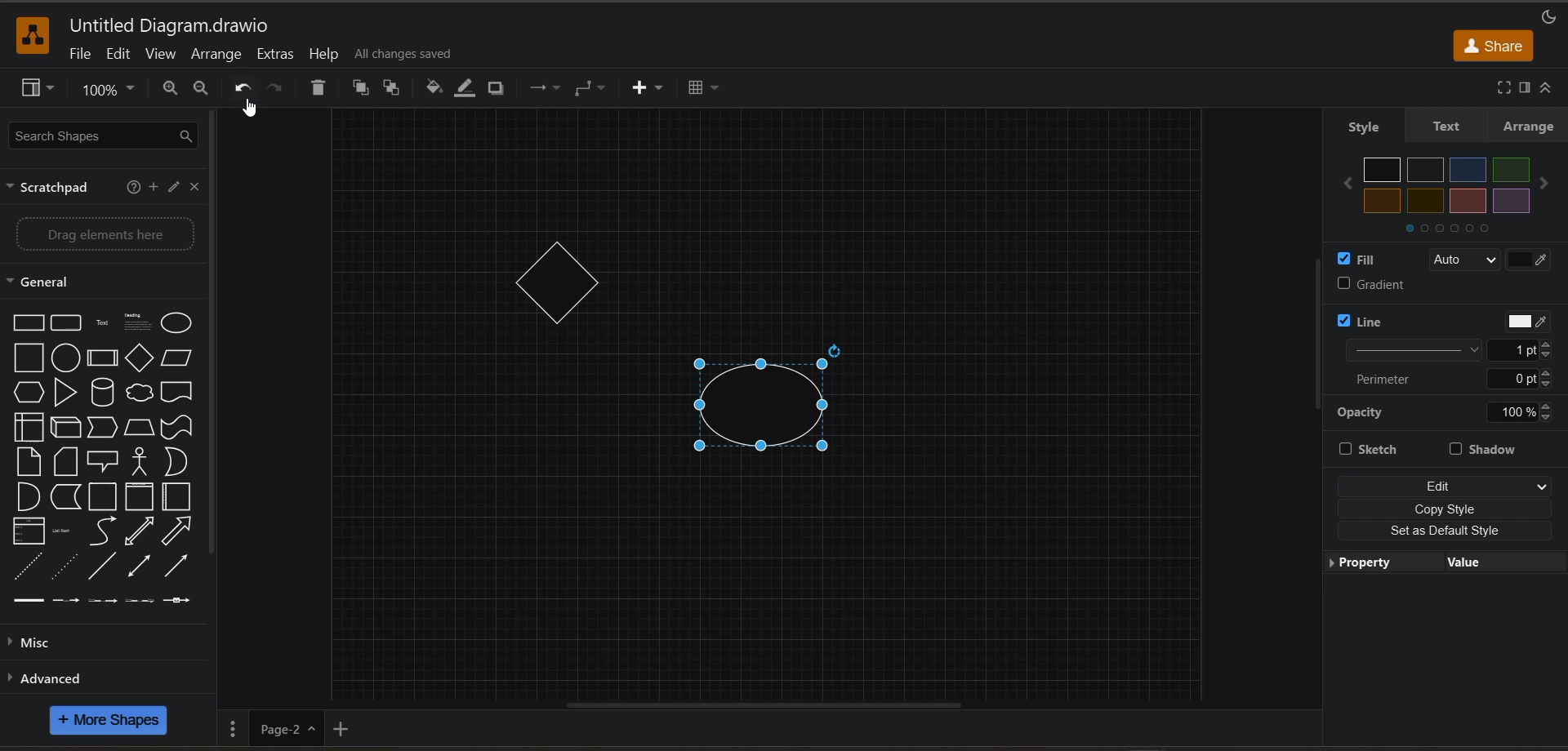  What do you see at coordinates (647, 90) in the screenshot?
I see `insert` at bounding box center [647, 90].